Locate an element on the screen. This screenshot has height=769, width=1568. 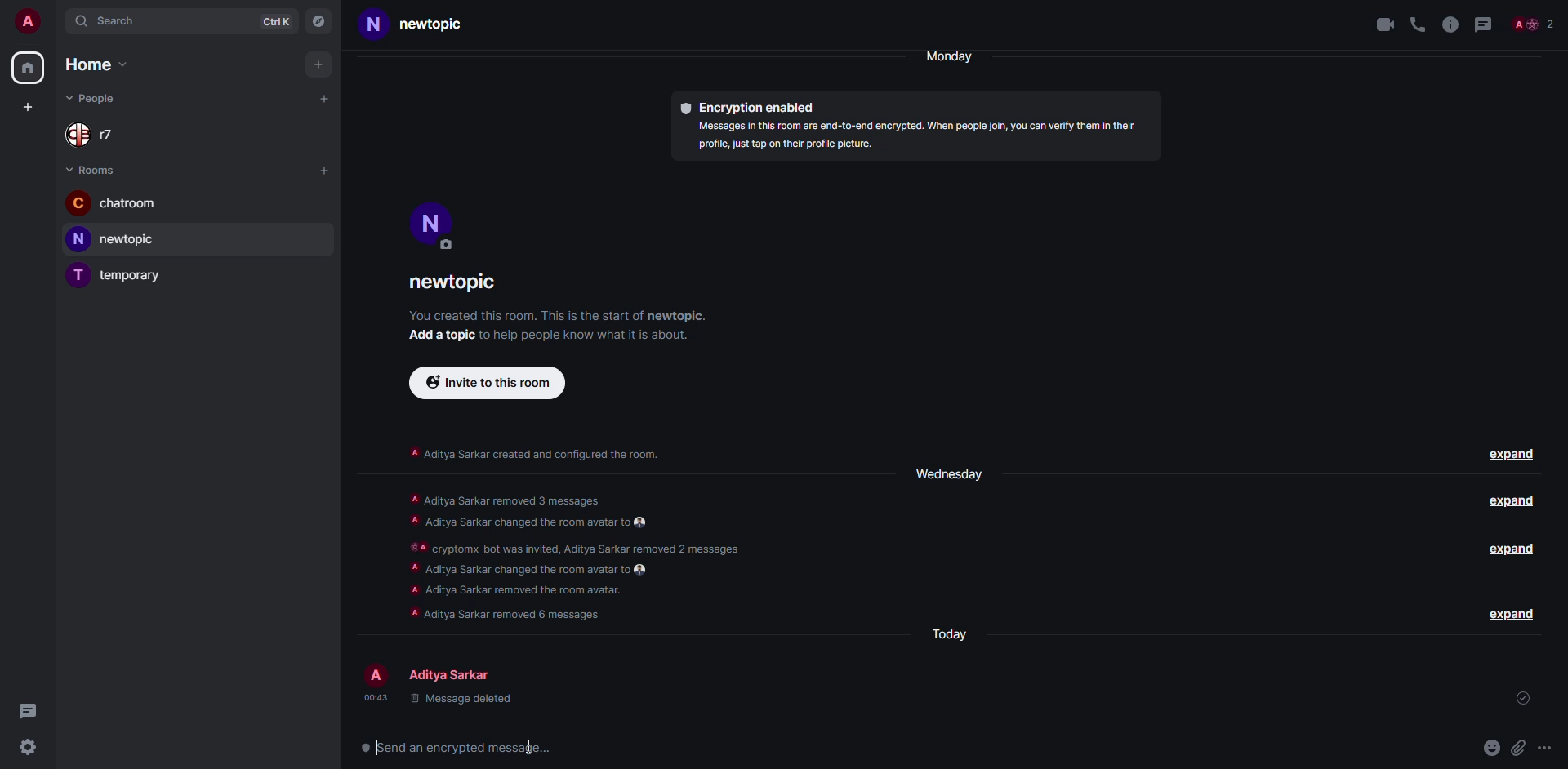
people is located at coordinates (1536, 24).